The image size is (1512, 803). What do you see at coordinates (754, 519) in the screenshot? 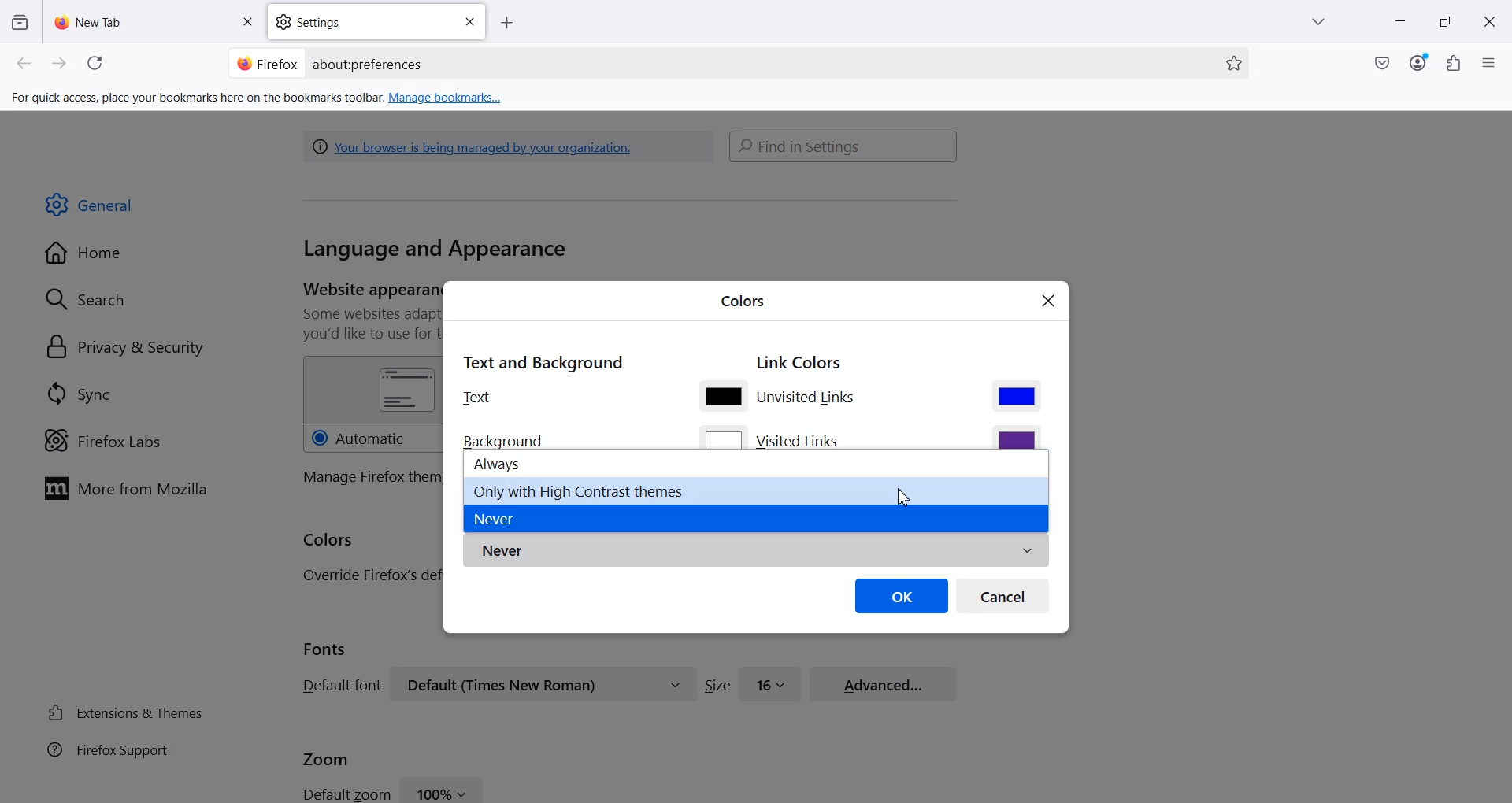
I see `Never` at bounding box center [754, 519].